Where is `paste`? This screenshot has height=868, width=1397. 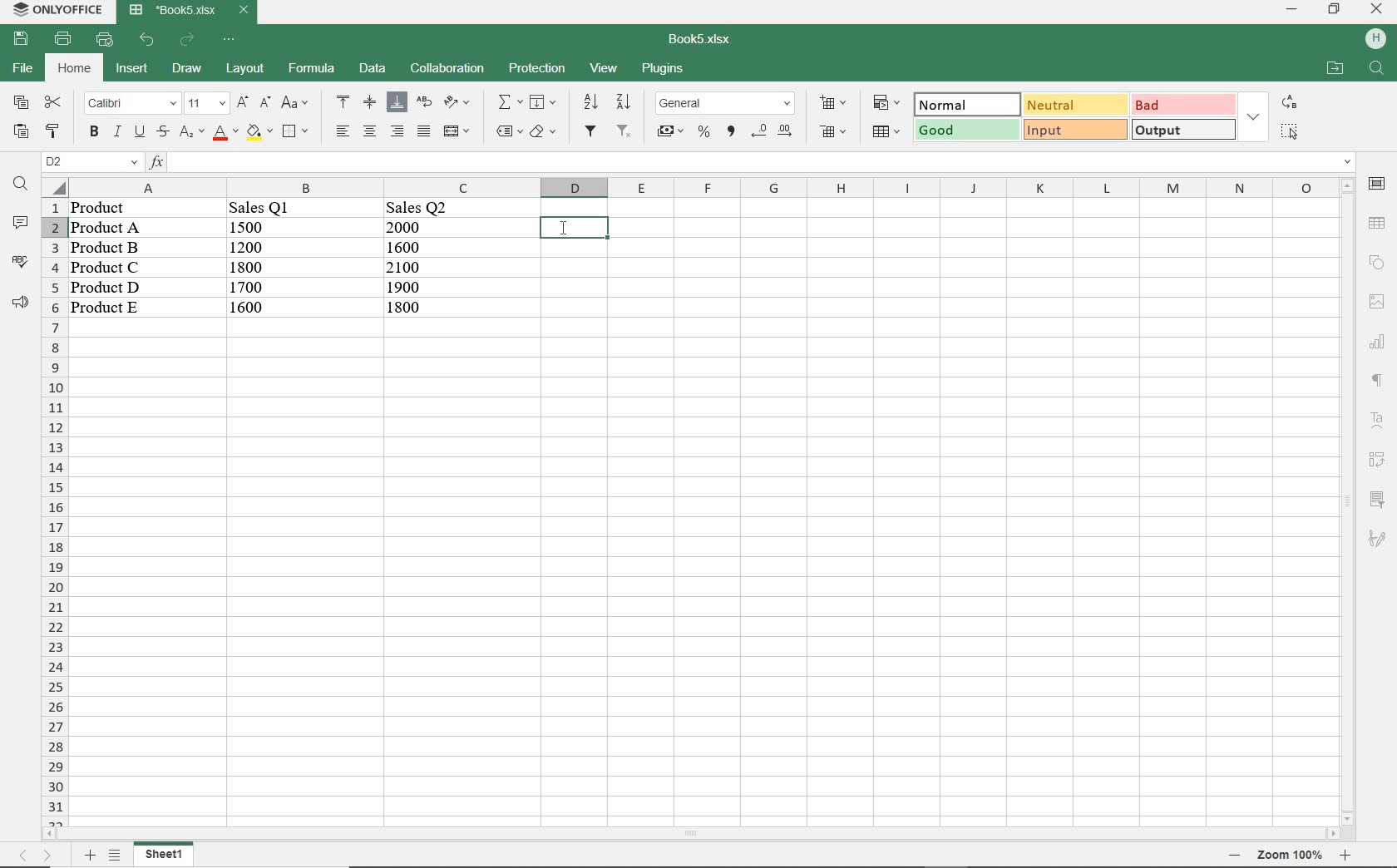 paste is located at coordinates (21, 131).